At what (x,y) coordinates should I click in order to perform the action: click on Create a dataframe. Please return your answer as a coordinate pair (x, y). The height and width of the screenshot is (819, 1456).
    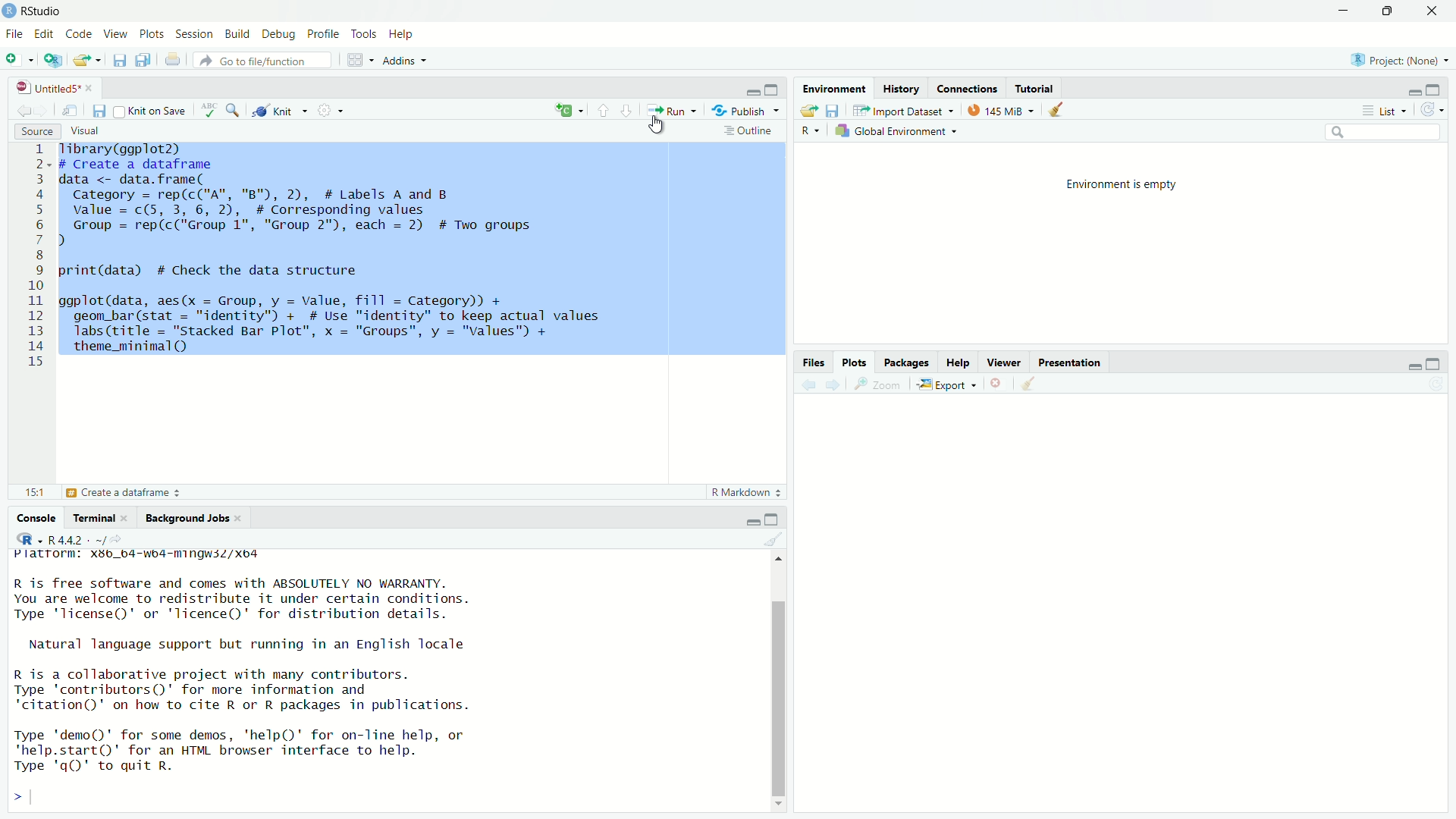
    Looking at the image, I should click on (122, 494).